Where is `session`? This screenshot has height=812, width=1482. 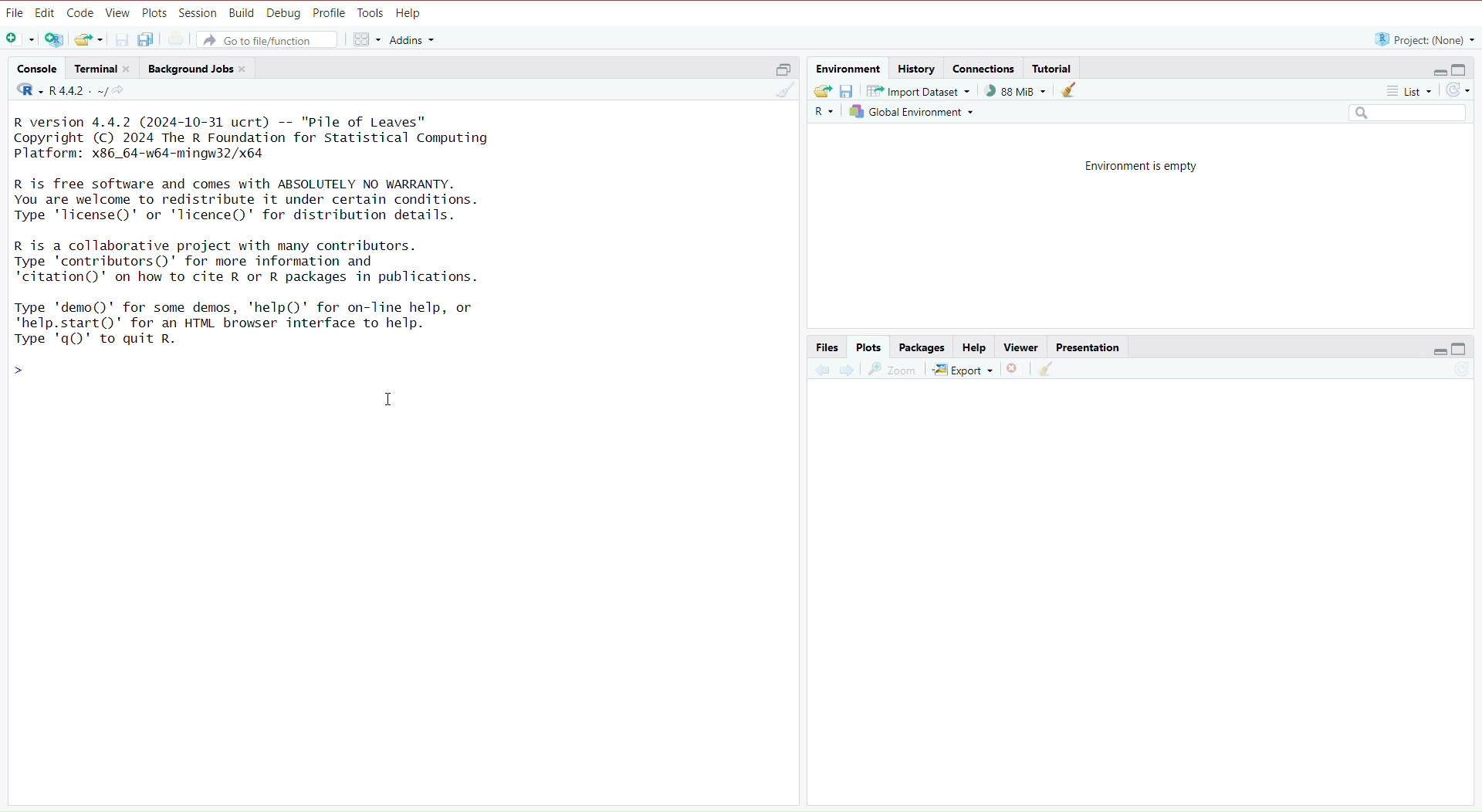 session is located at coordinates (198, 14).